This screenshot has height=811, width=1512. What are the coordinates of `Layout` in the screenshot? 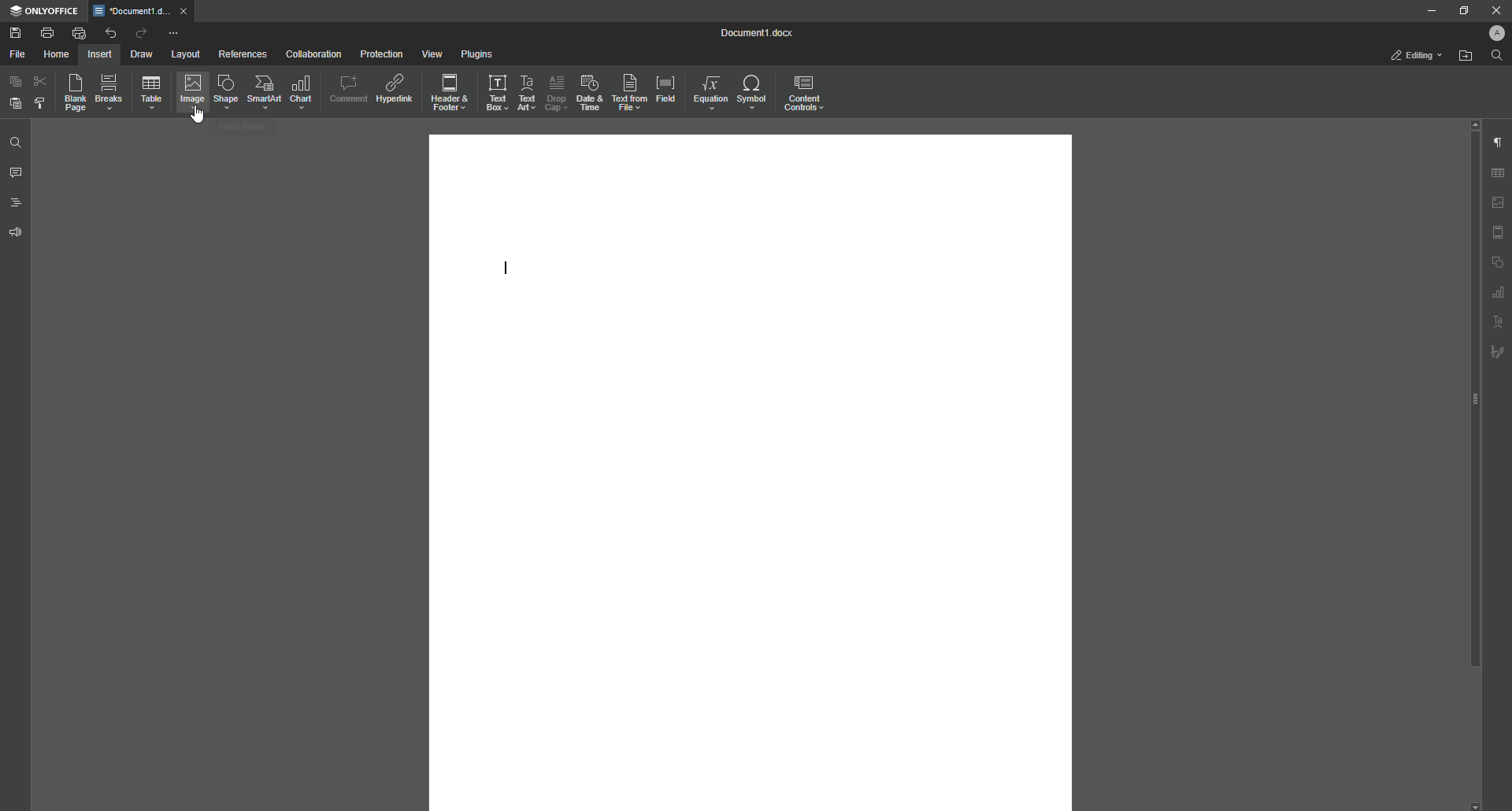 It's located at (183, 54).